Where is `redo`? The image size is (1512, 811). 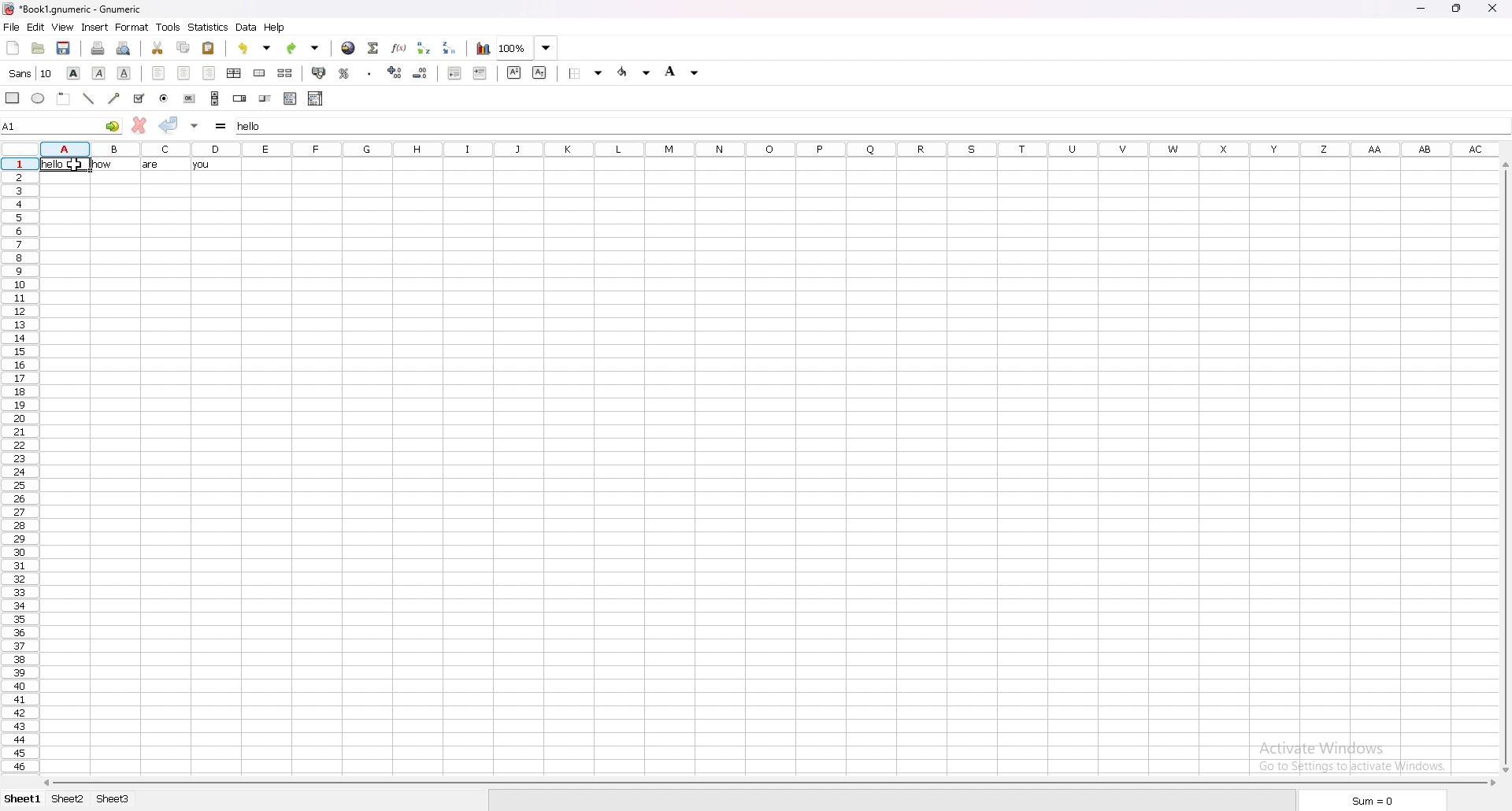 redo is located at coordinates (304, 47).